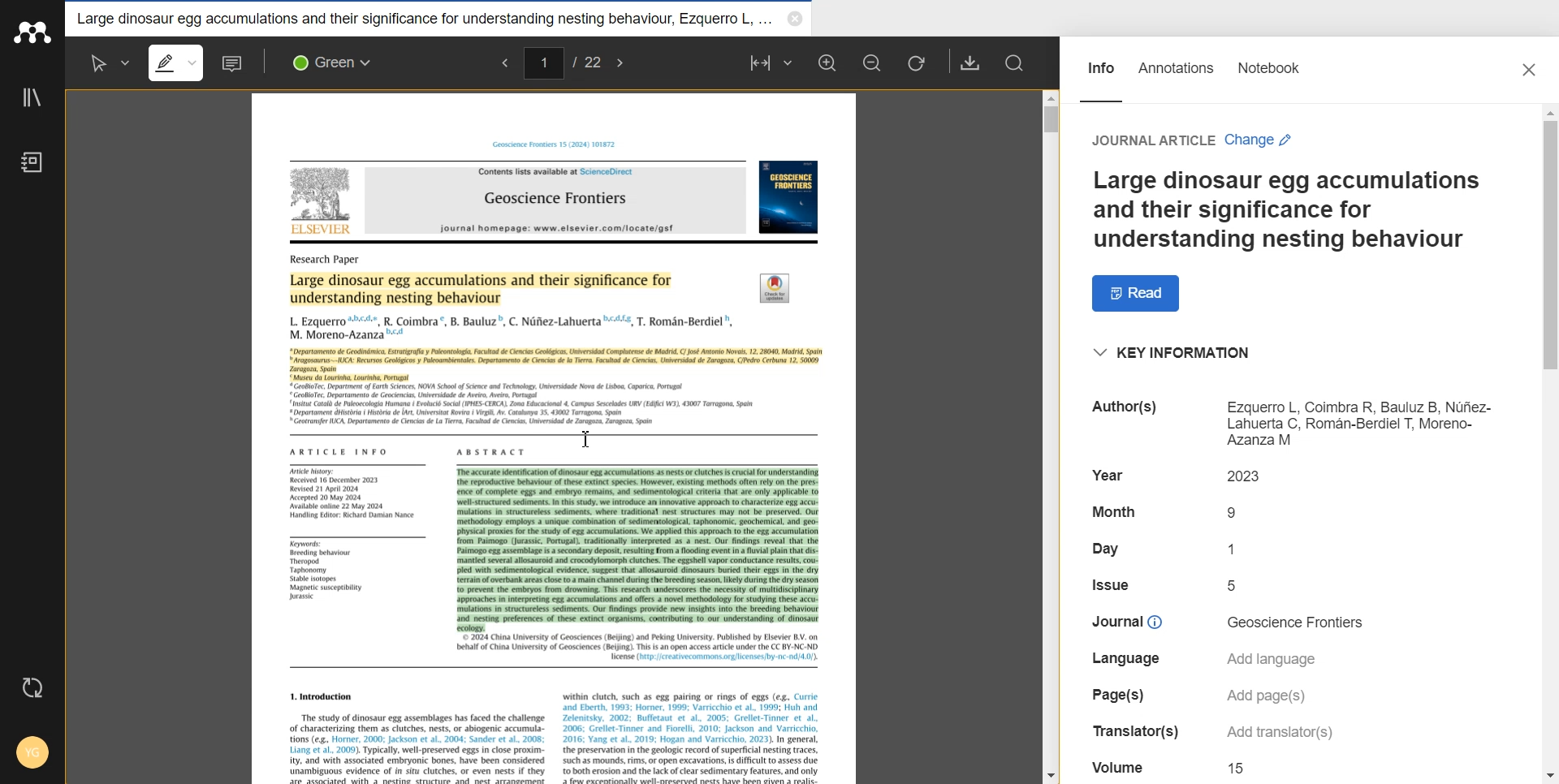 Image resolution: width=1559 pixels, height=784 pixels. What do you see at coordinates (1113, 510) in the screenshot?
I see `text` at bounding box center [1113, 510].